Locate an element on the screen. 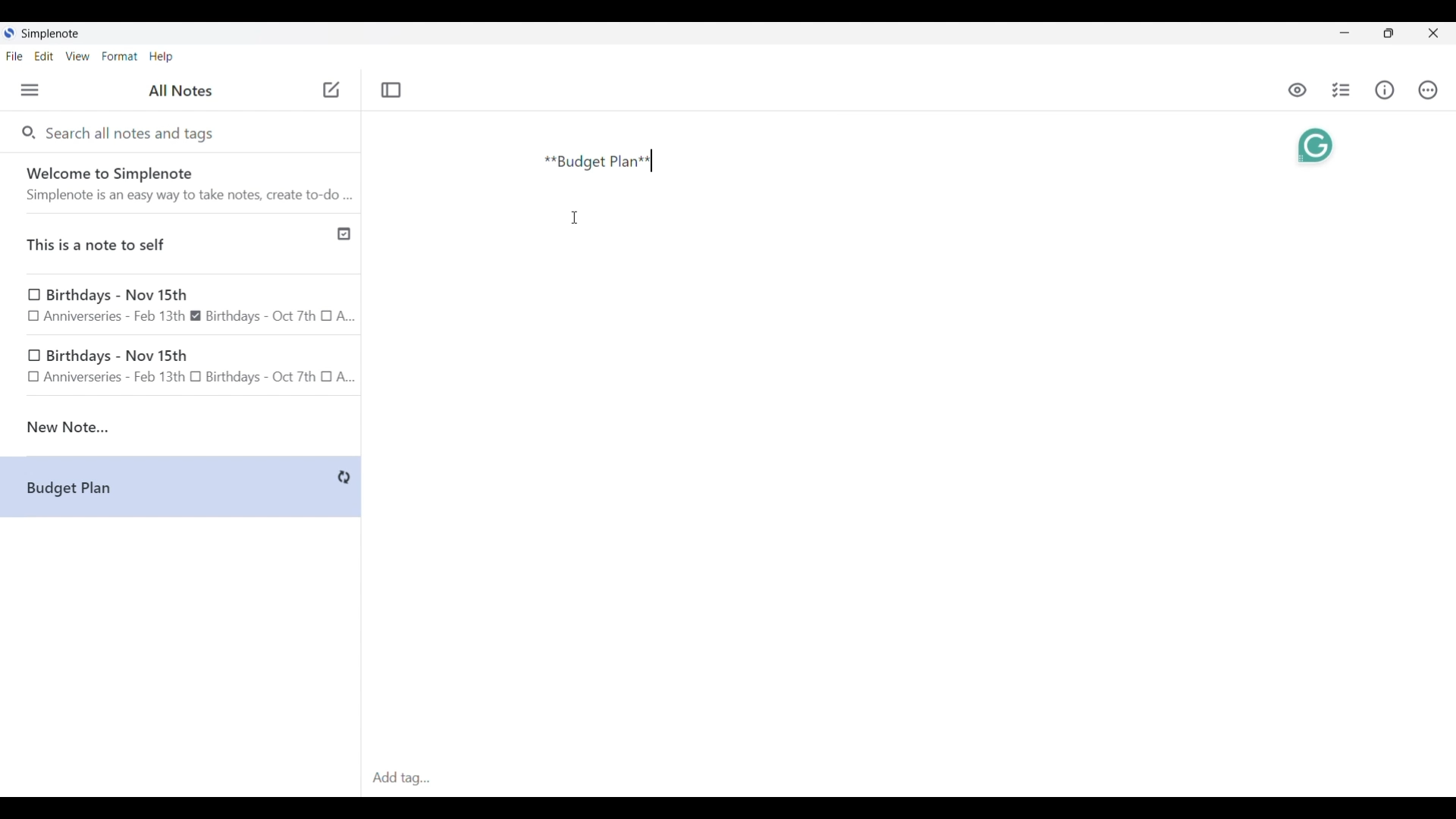 The height and width of the screenshot is (819, 1456). Software welcome note is located at coordinates (184, 183).